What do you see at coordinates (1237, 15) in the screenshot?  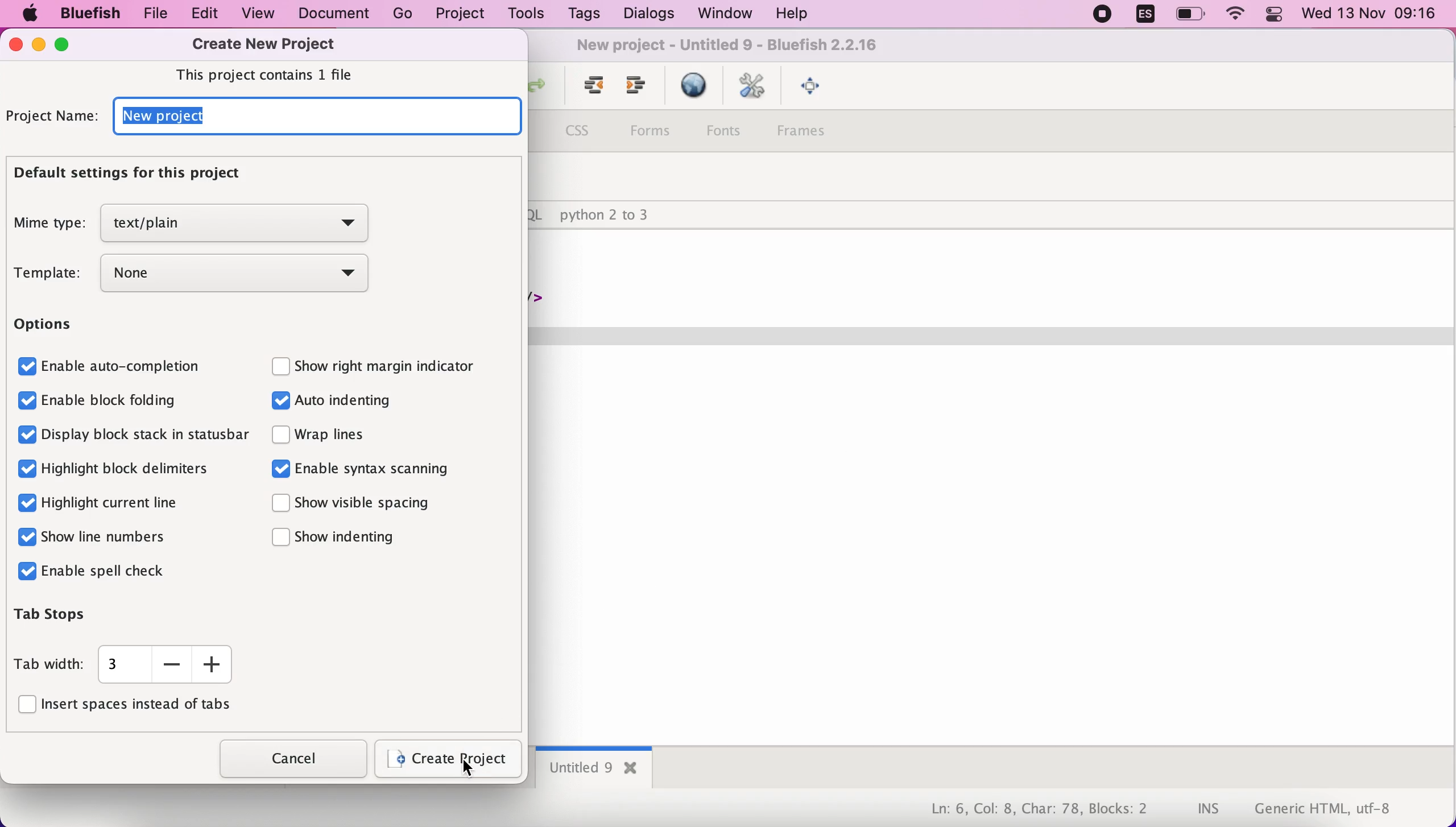 I see `wifi` at bounding box center [1237, 15].